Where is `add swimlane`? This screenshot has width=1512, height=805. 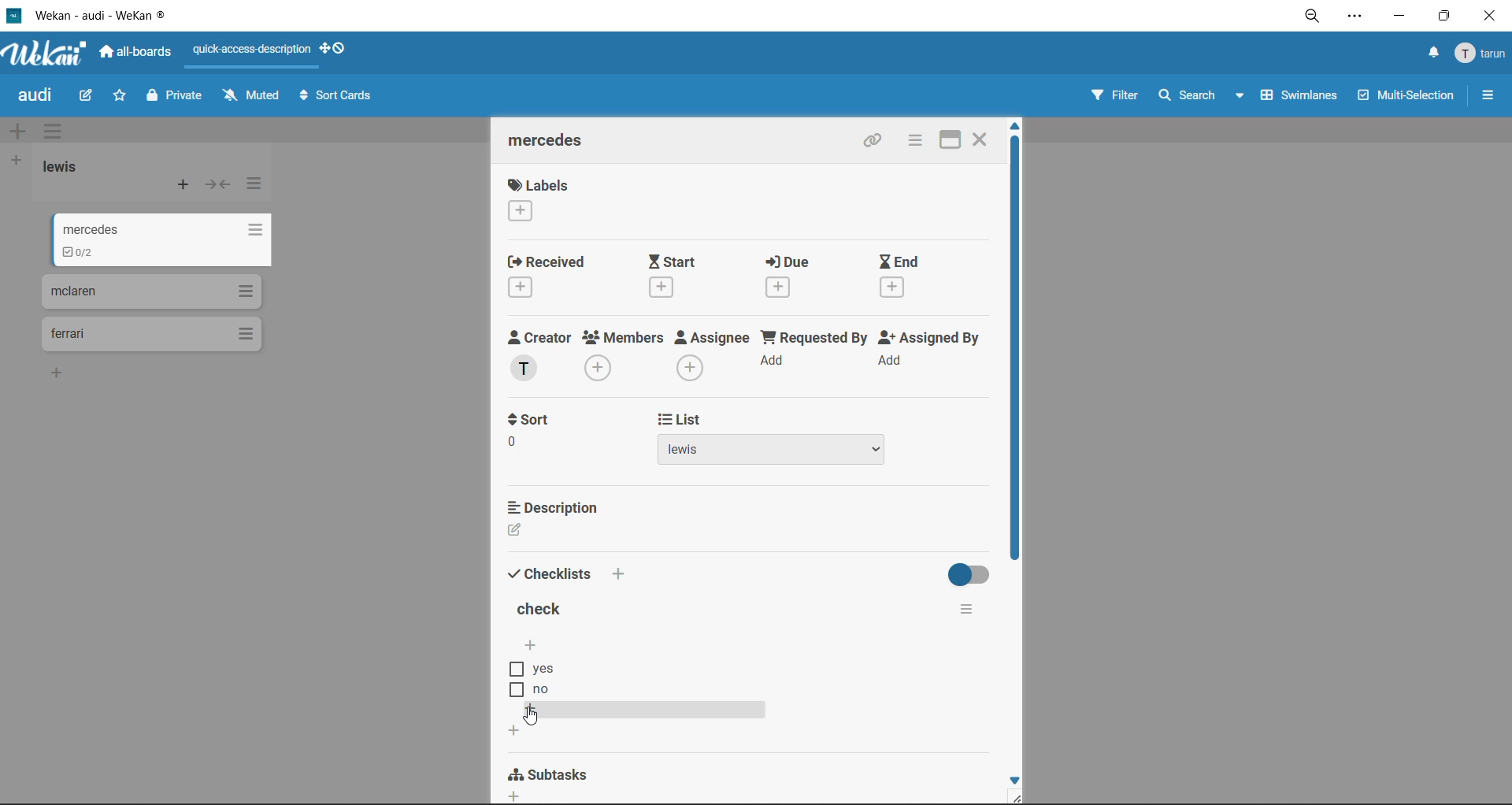 add swimlane is located at coordinates (22, 131).